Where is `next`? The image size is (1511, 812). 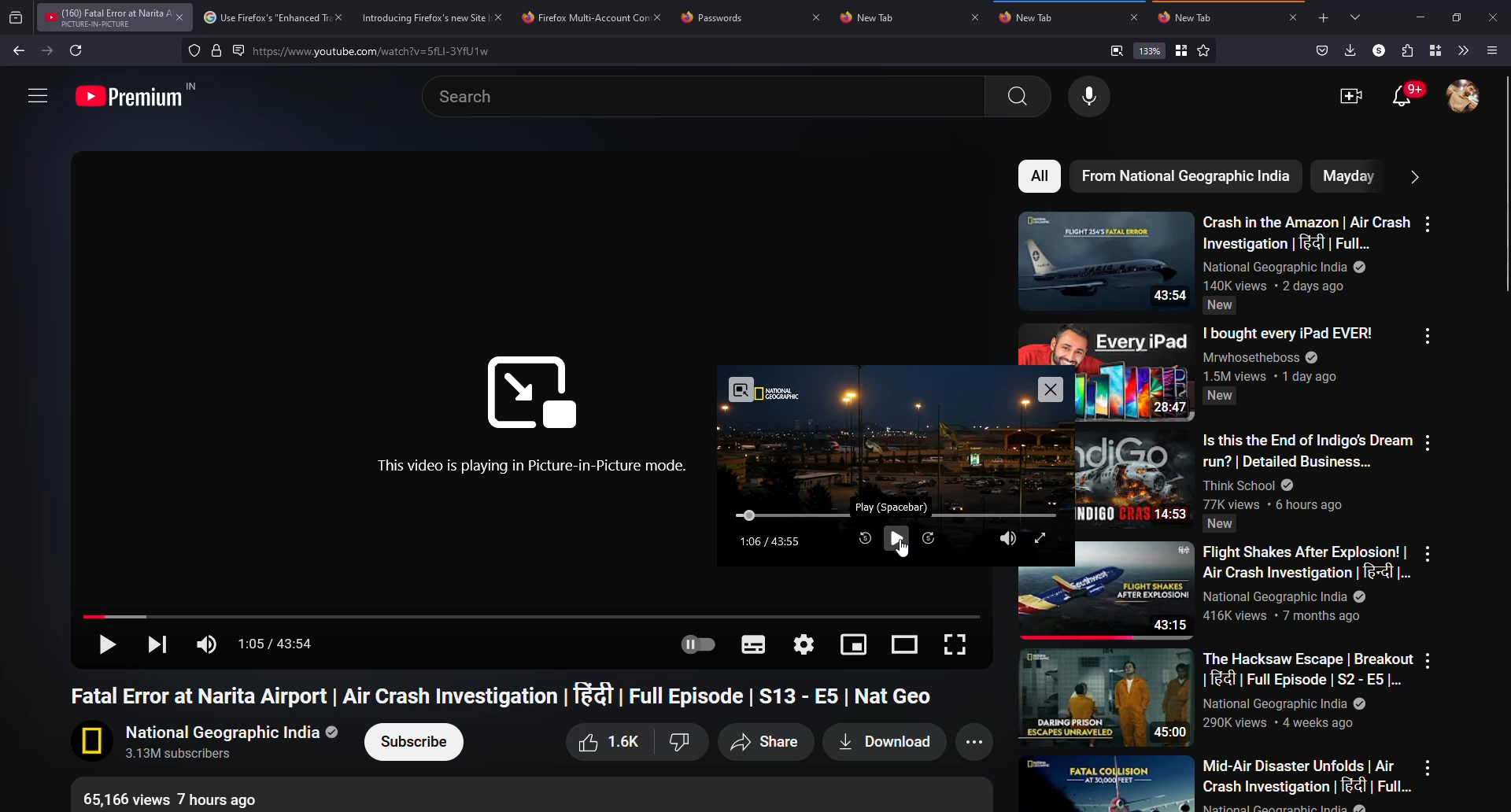 next is located at coordinates (930, 537).